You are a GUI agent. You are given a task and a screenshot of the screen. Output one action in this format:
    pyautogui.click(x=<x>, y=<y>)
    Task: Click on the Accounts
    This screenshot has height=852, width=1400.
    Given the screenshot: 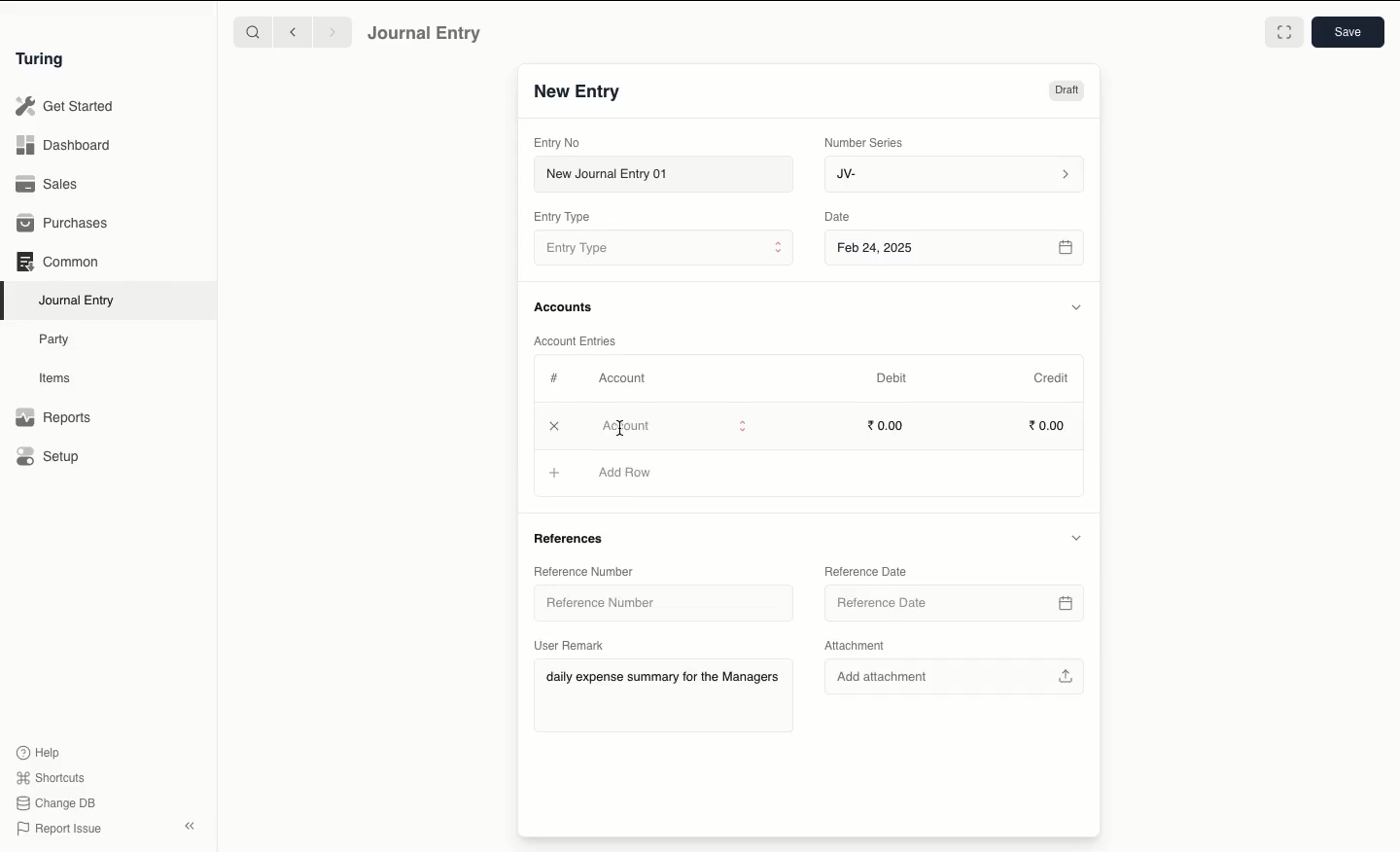 What is the action you would take?
    pyautogui.click(x=565, y=307)
    